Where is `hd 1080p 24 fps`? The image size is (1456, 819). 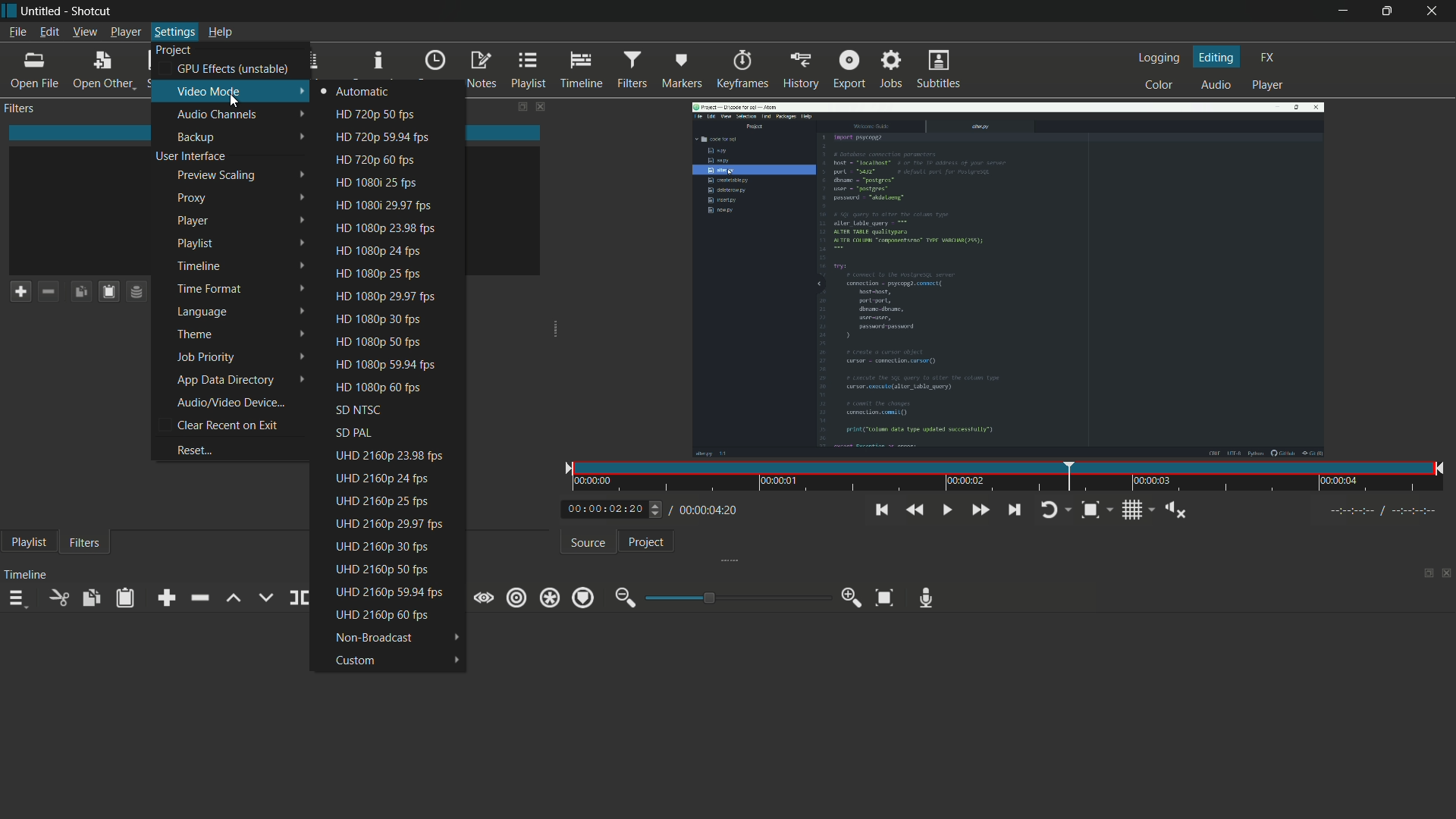
hd 1080p 24 fps is located at coordinates (393, 249).